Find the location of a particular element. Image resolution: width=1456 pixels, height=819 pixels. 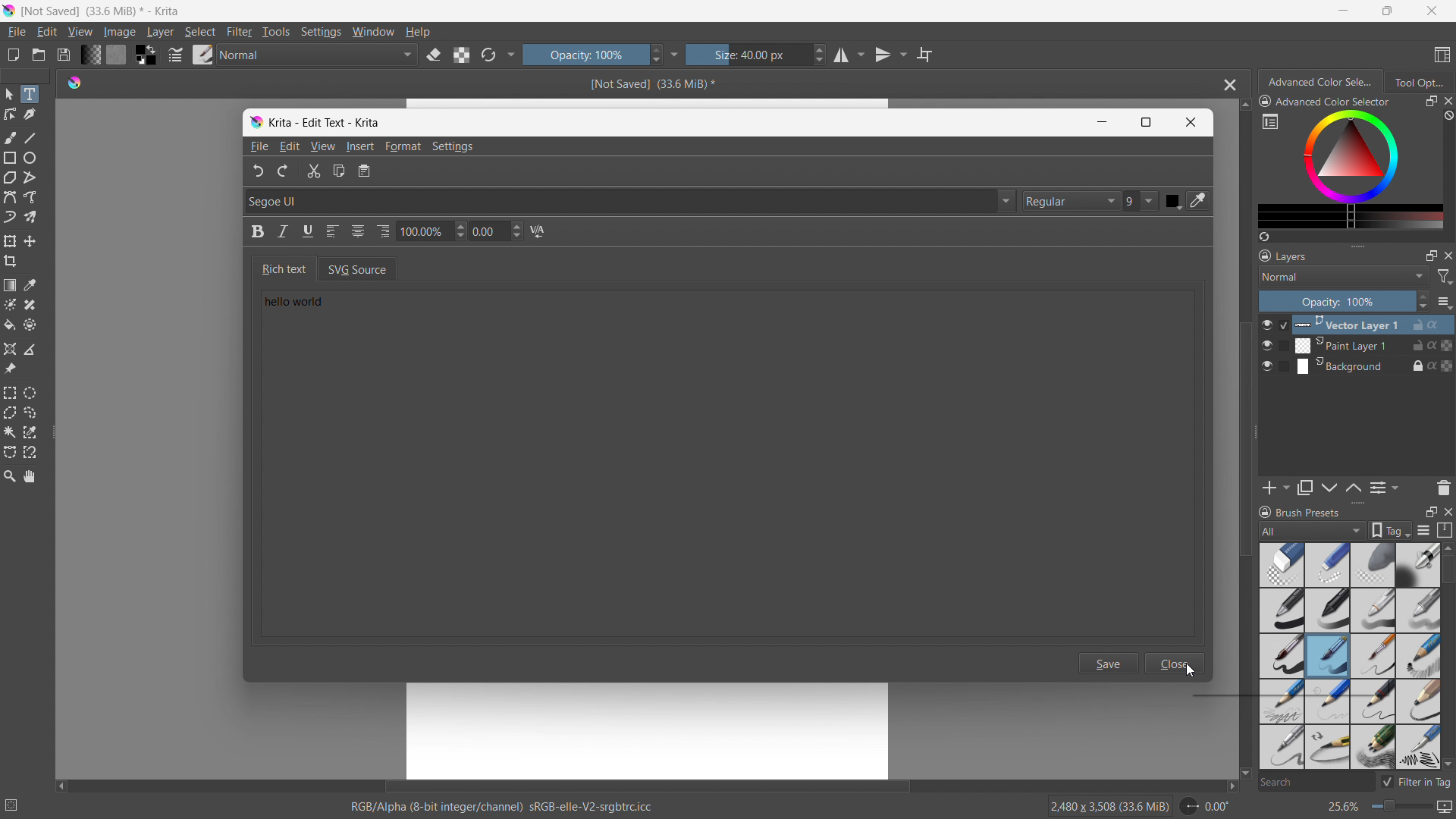

advanced color selector is located at coordinates (1325, 101).